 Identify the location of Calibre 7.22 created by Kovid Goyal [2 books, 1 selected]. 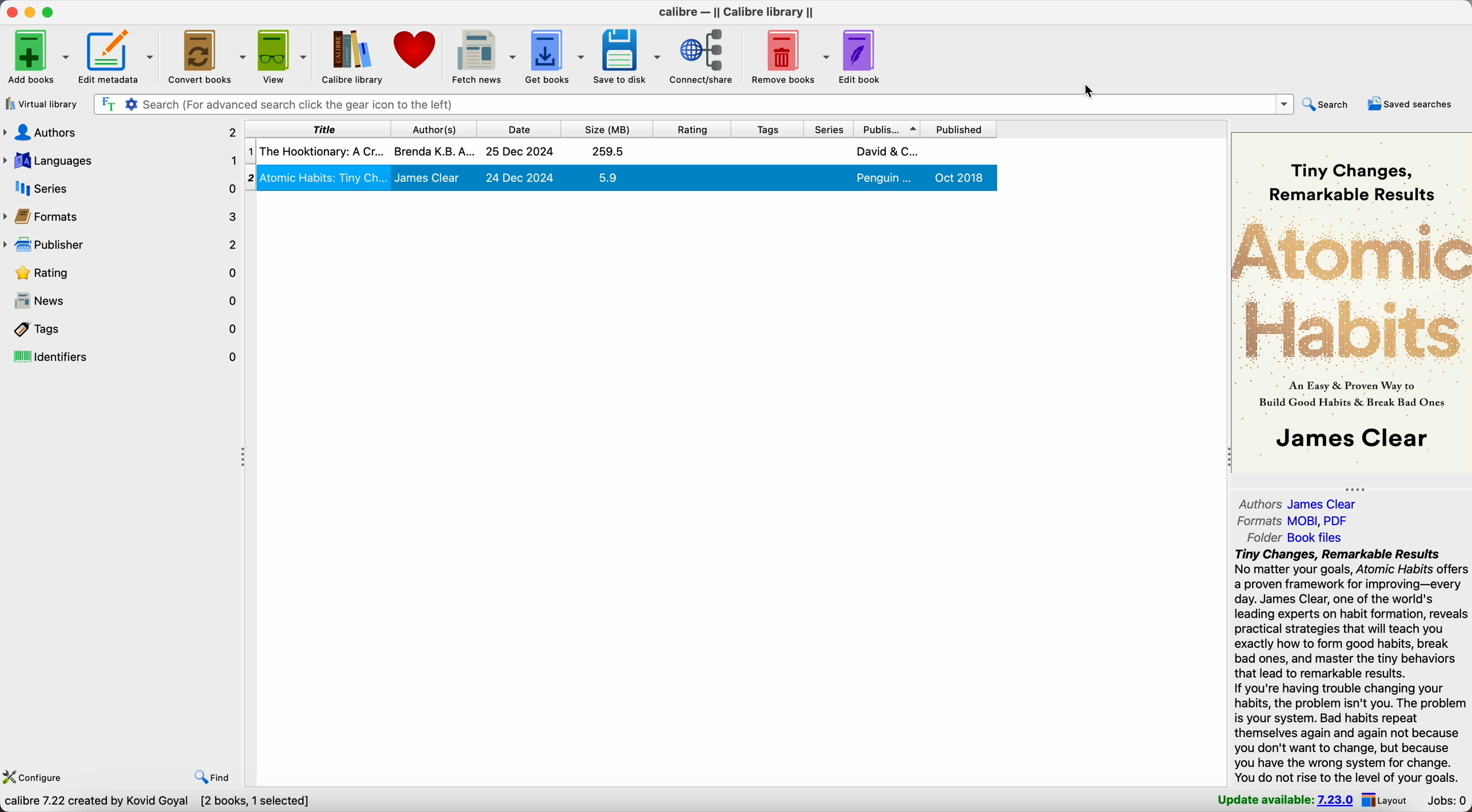
(159, 802).